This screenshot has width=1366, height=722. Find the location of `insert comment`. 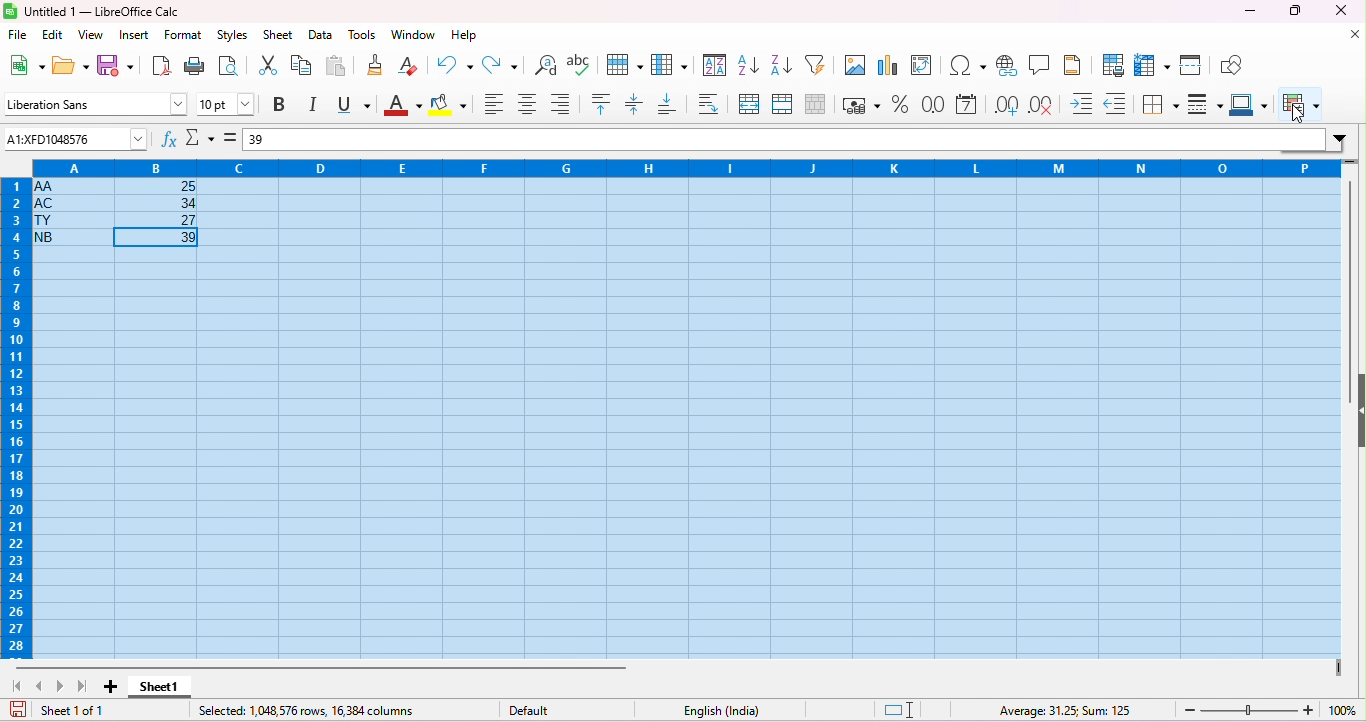

insert comment is located at coordinates (1042, 64).